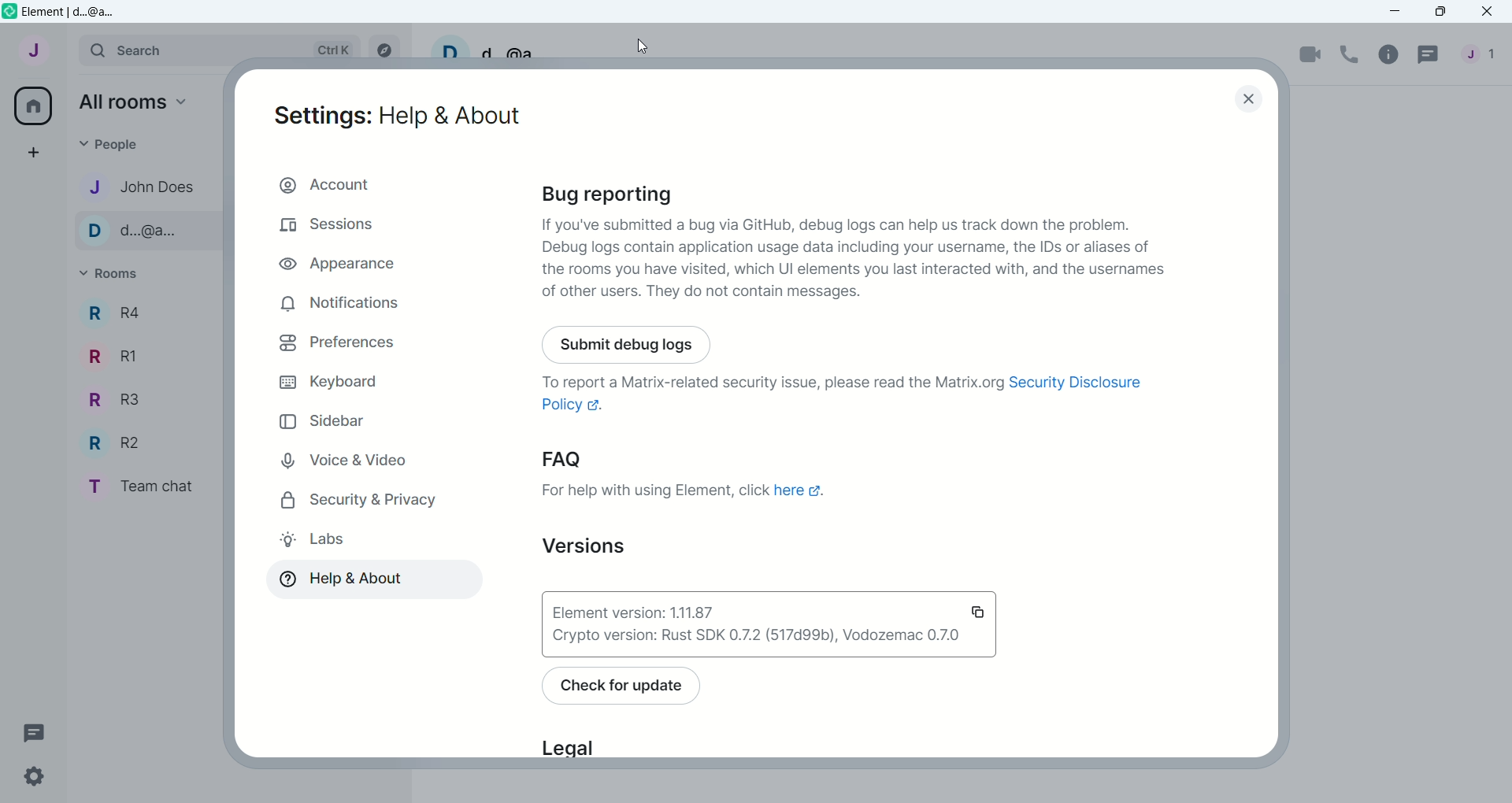  Describe the element at coordinates (1489, 13) in the screenshot. I see `Close` at that location.